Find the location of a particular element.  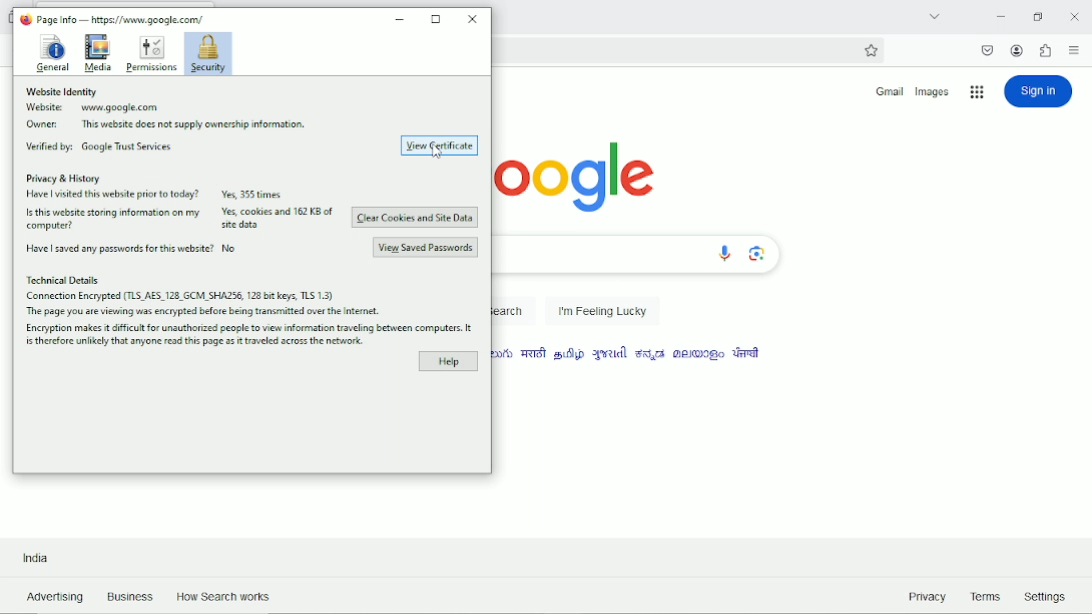

Restore down is located at coordinates (1038, 16).